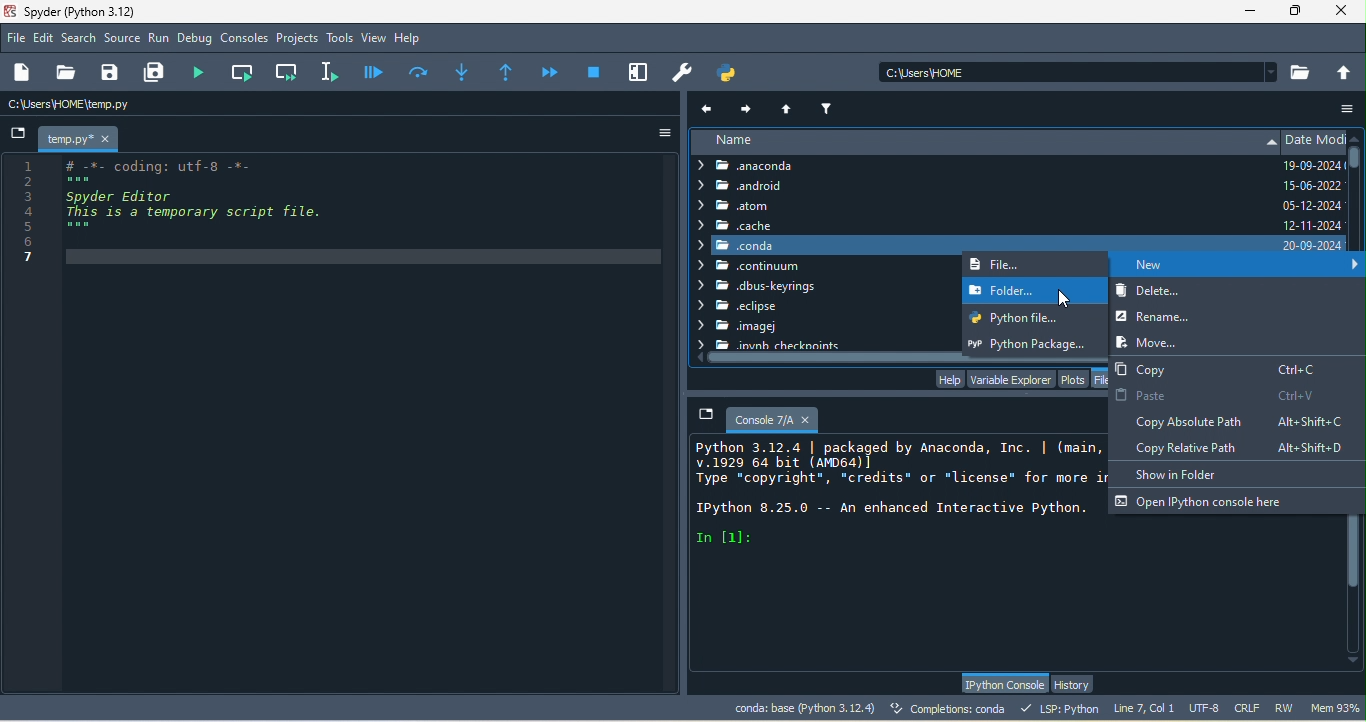  Describe the element at coordinates (288, 71) in the screenshot. I see `run current cell and go to the next one` at that location.